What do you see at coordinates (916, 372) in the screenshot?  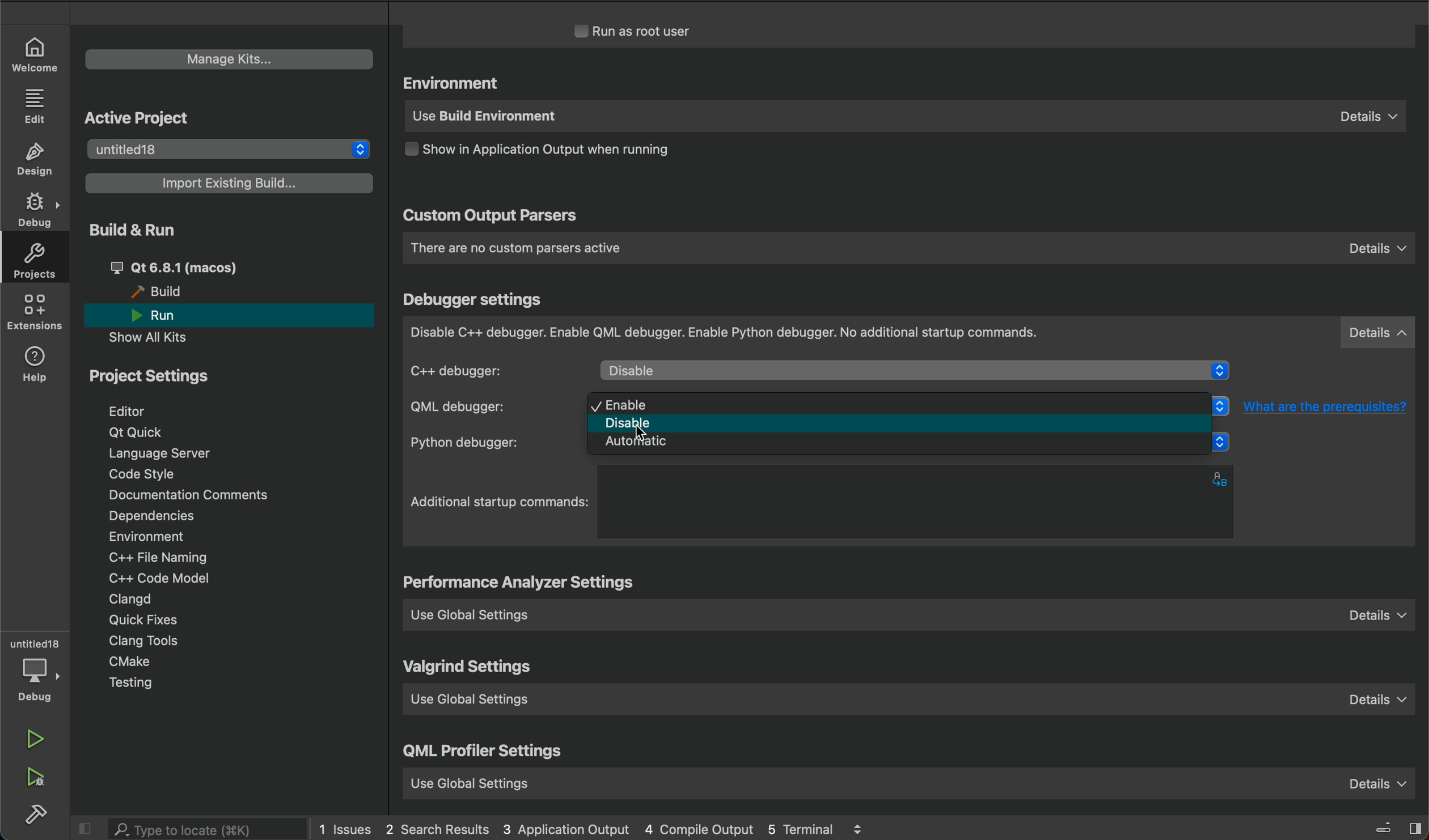 I see `diable` at bounding box center [916, 372].